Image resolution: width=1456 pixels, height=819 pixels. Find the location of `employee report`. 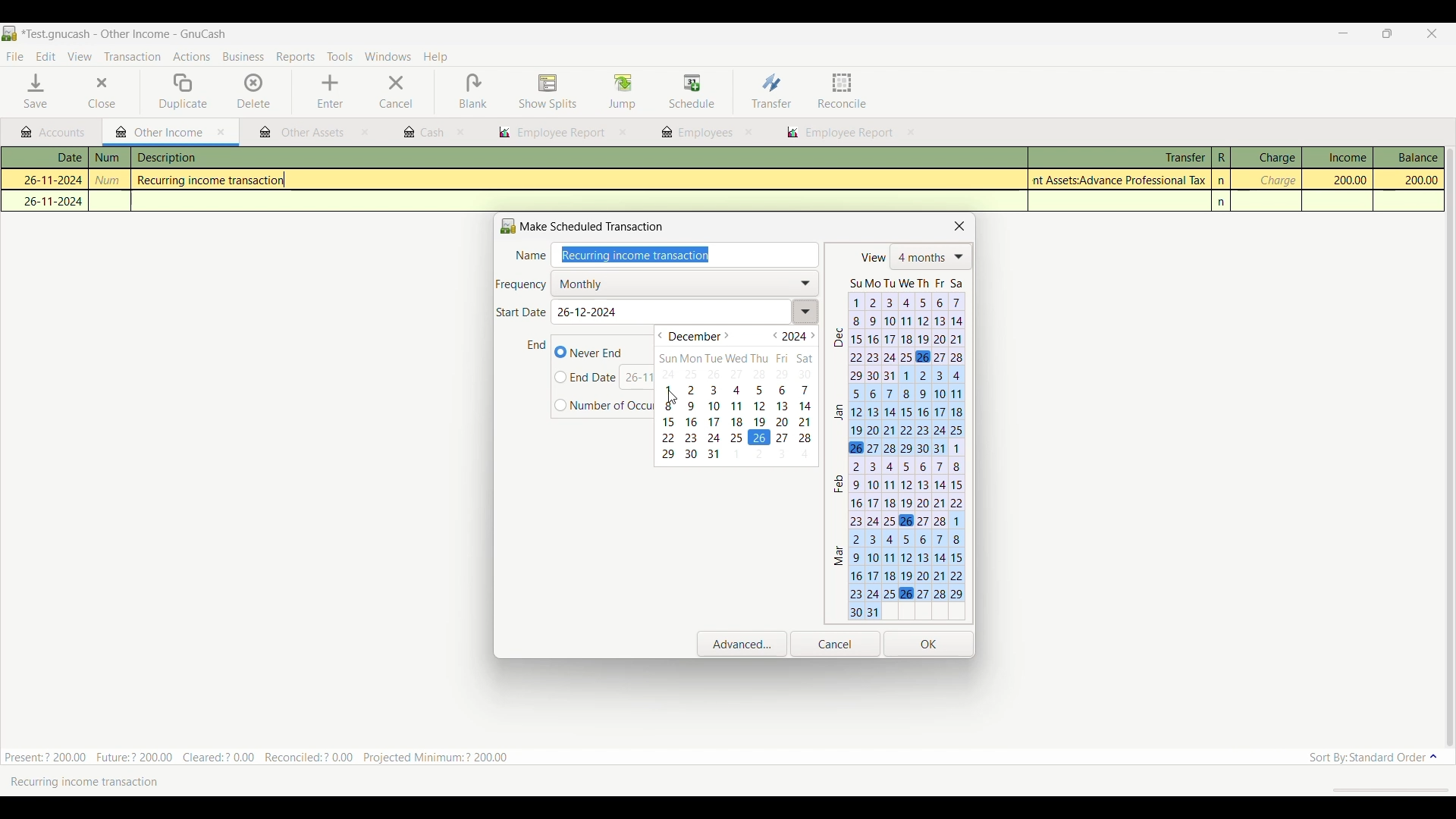

employee report is located at coordinates (848, 134).